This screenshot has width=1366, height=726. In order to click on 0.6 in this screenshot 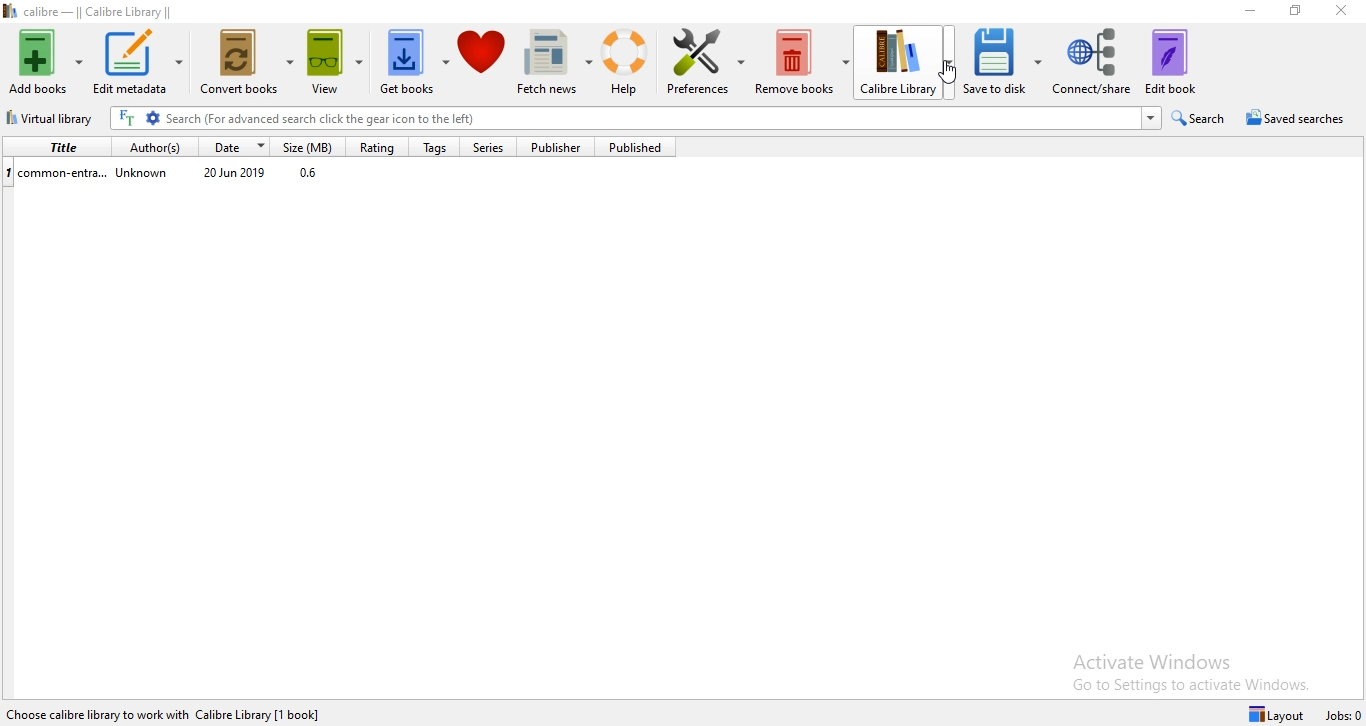, I will do `click(313, 175)`.